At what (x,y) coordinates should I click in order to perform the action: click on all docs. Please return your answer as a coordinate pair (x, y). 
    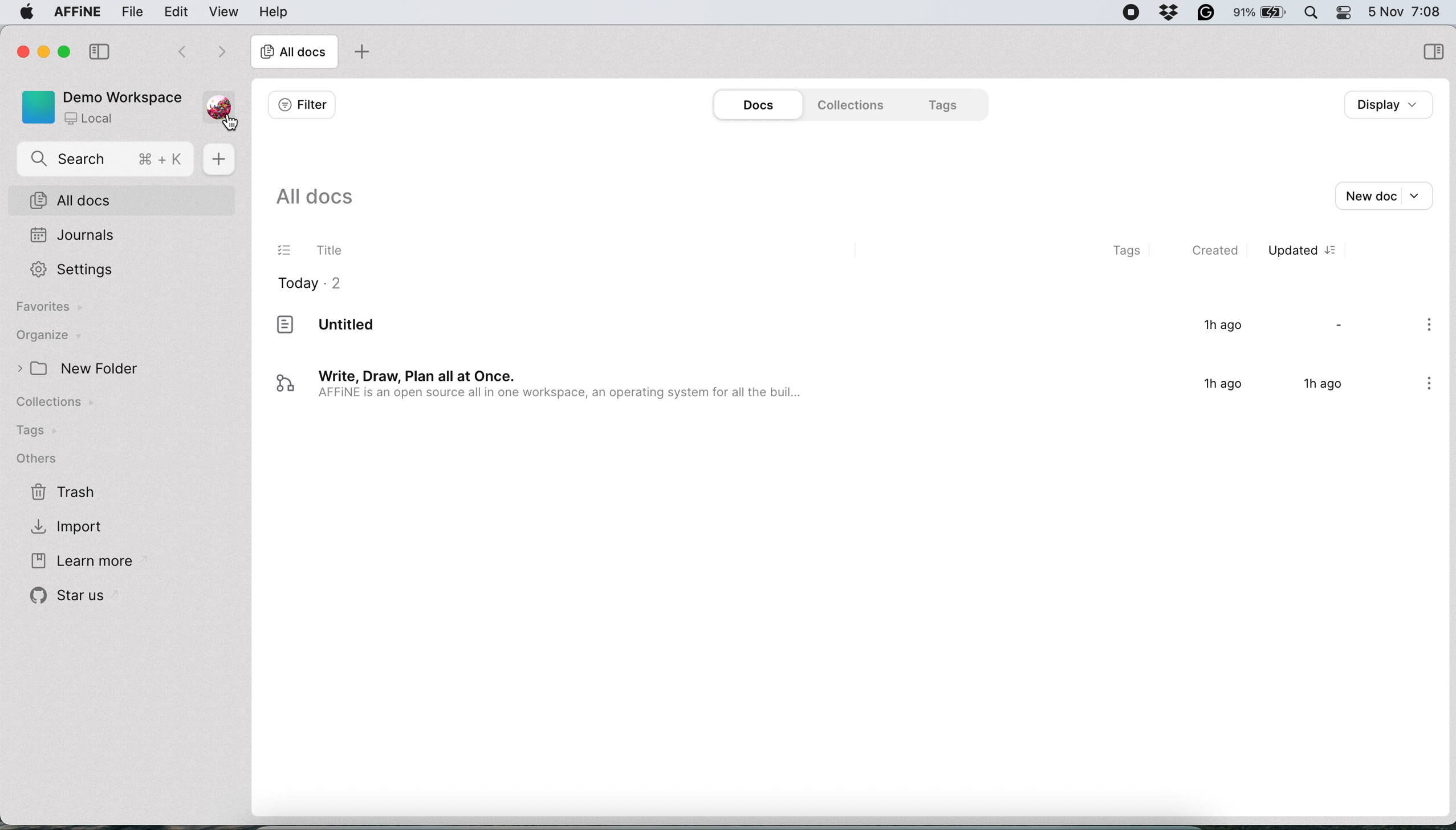
    Looking at the image, I should click on (314, 197).